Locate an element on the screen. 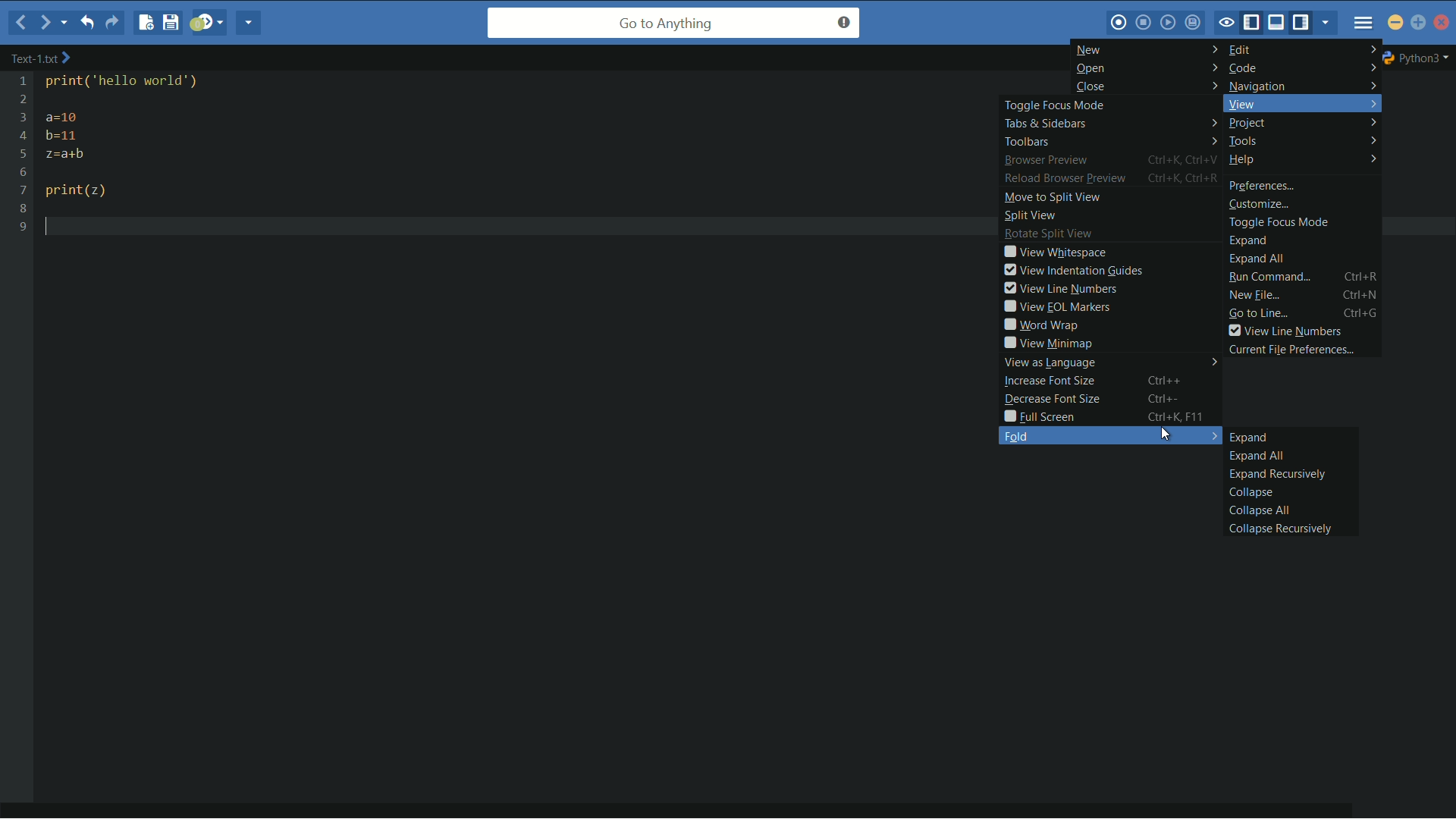  minimize is located at coordinates (1396, 24).